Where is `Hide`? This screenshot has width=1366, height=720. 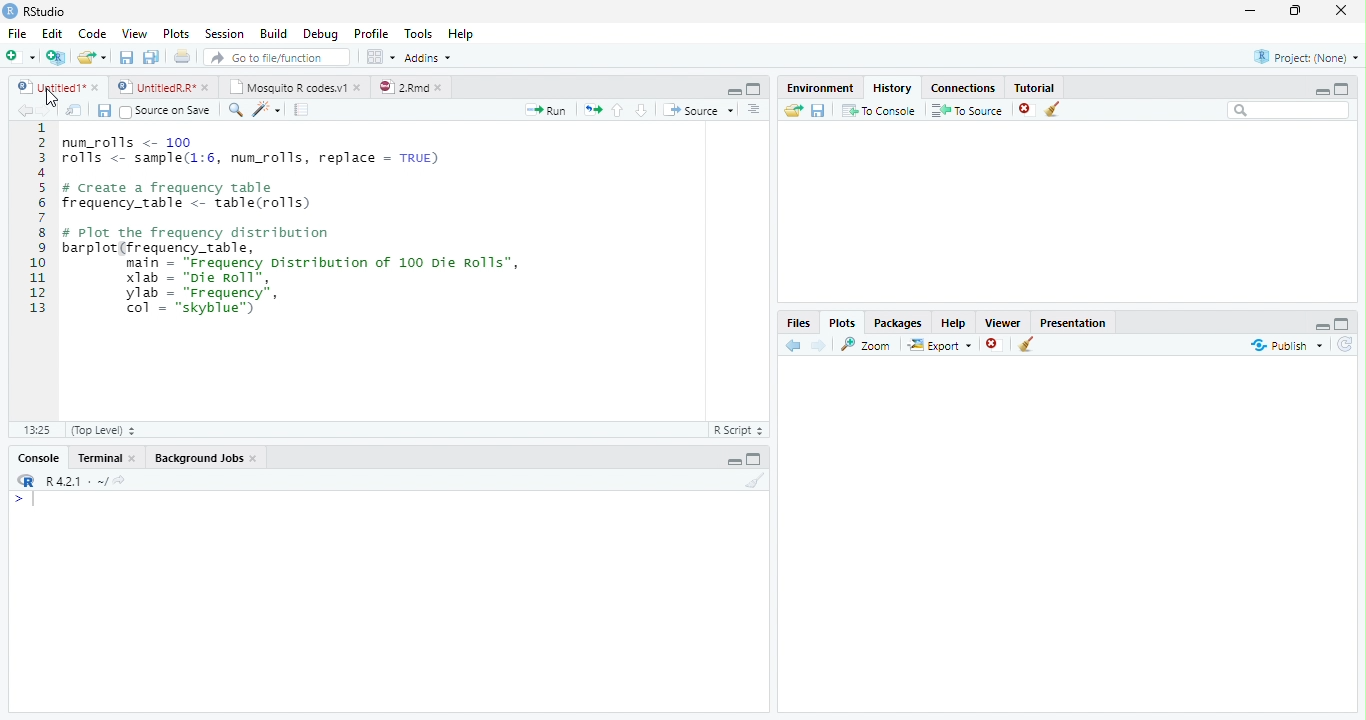
Hide is located at coordinates (732, 91).